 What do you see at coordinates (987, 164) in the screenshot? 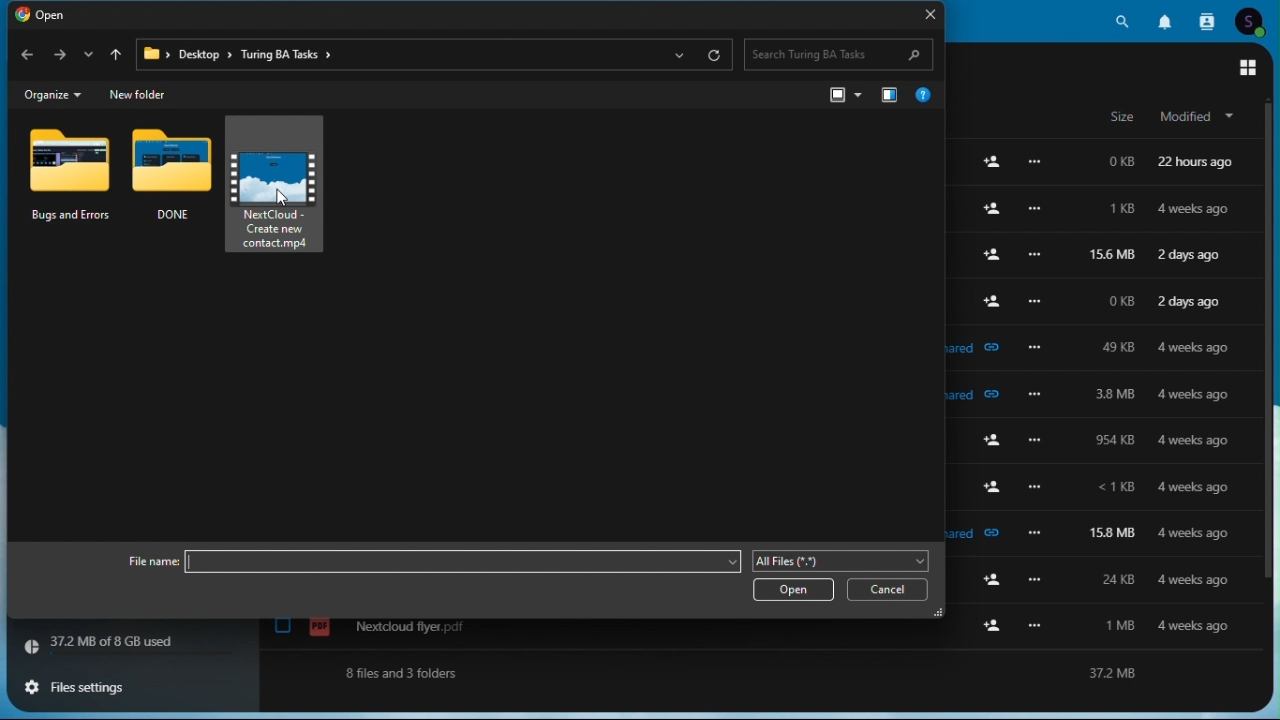
I see `add user` at bounding box center [987, 164].